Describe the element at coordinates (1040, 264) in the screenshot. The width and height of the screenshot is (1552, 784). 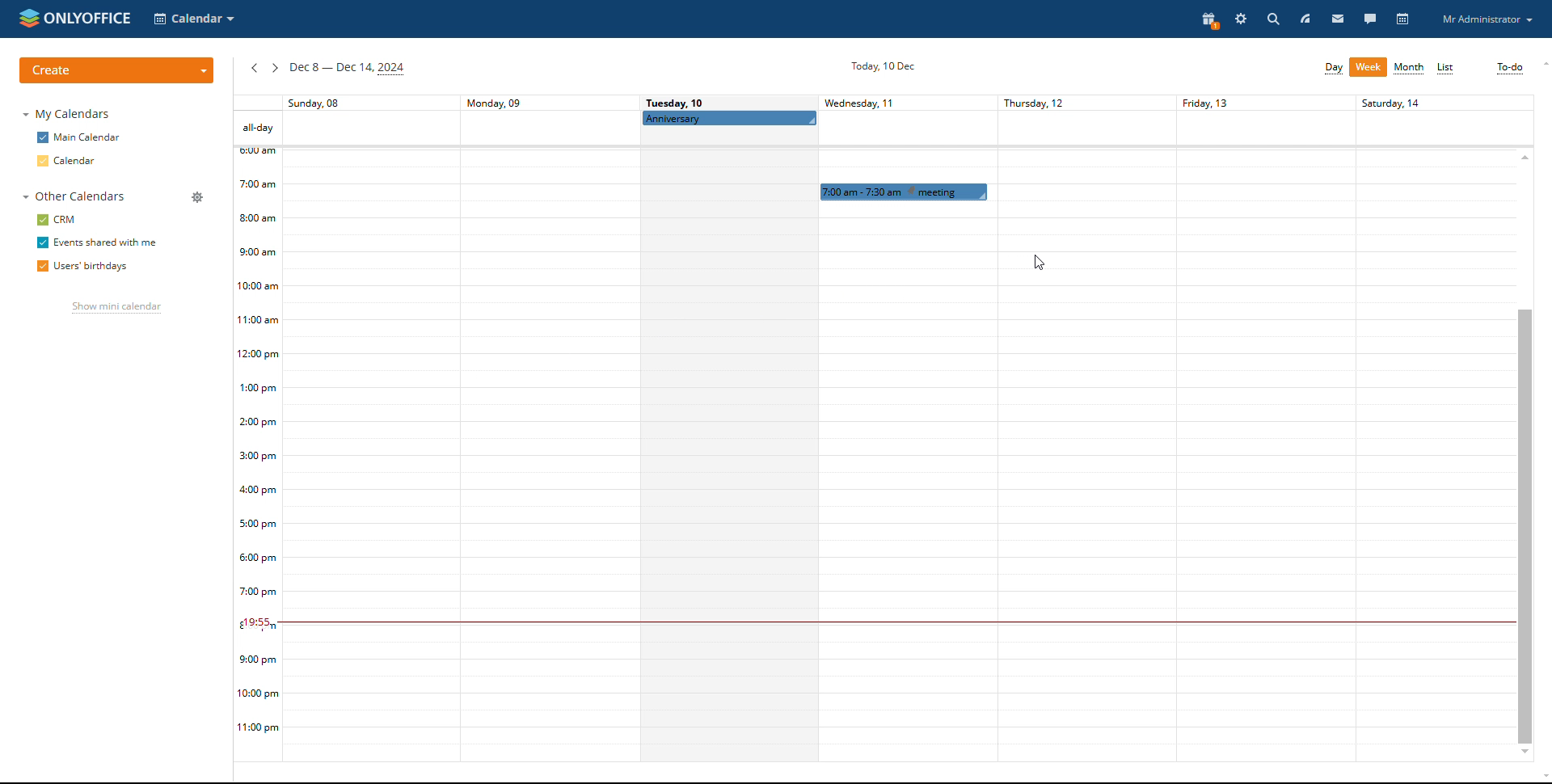
I see `cursor` at that location.